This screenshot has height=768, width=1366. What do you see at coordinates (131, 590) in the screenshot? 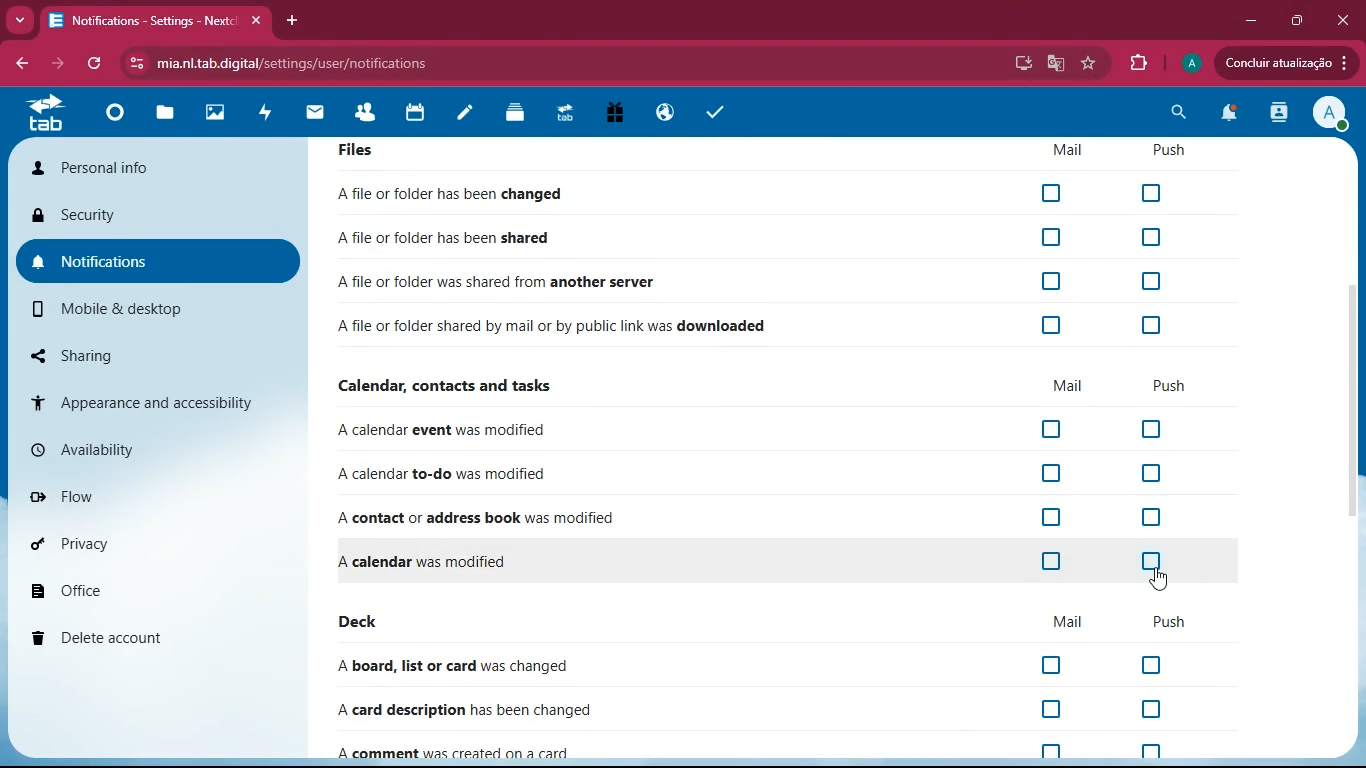
I see `office` at bounding box center [131, 590].